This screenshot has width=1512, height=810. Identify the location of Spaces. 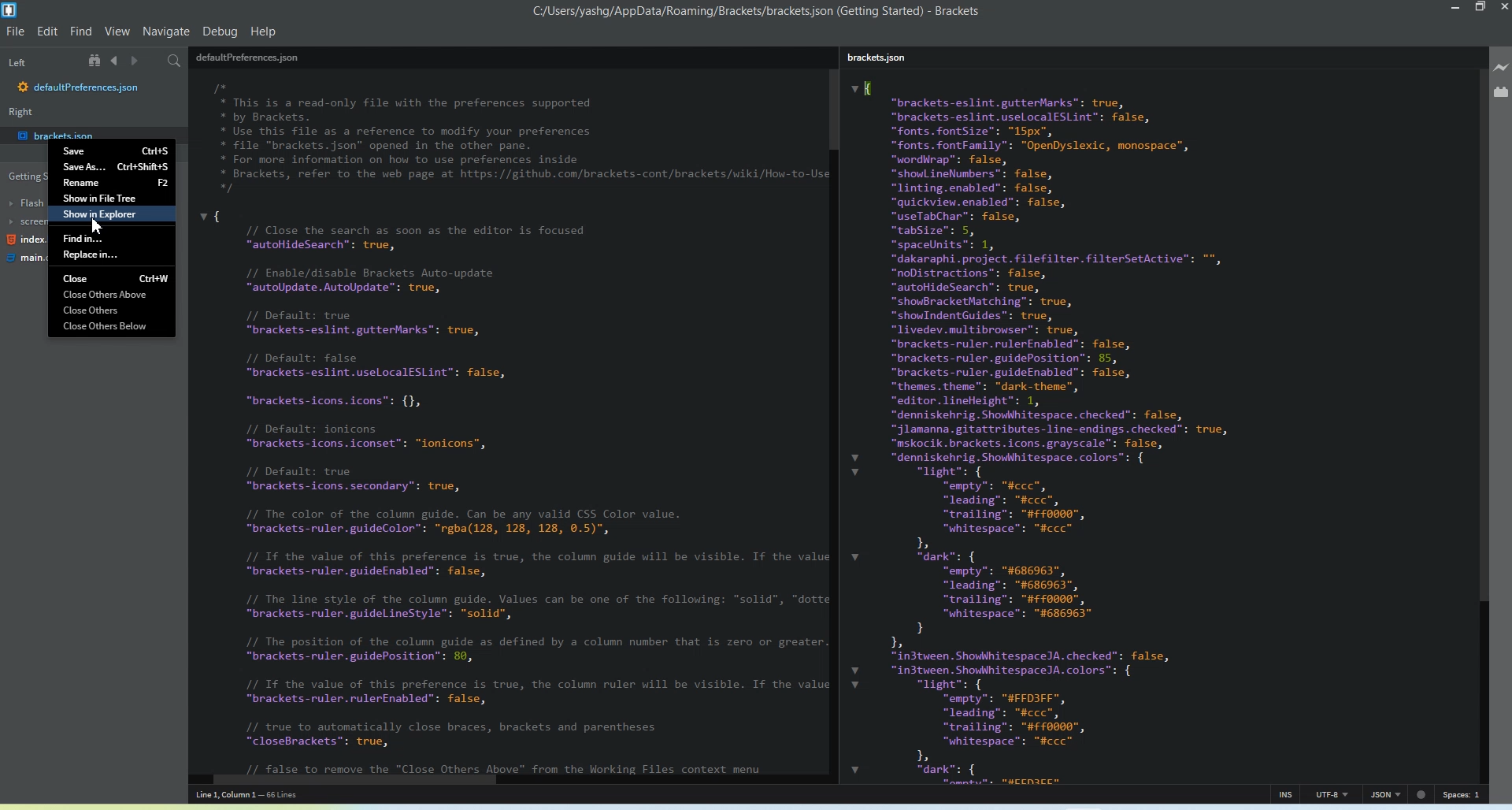
(1463, 794).